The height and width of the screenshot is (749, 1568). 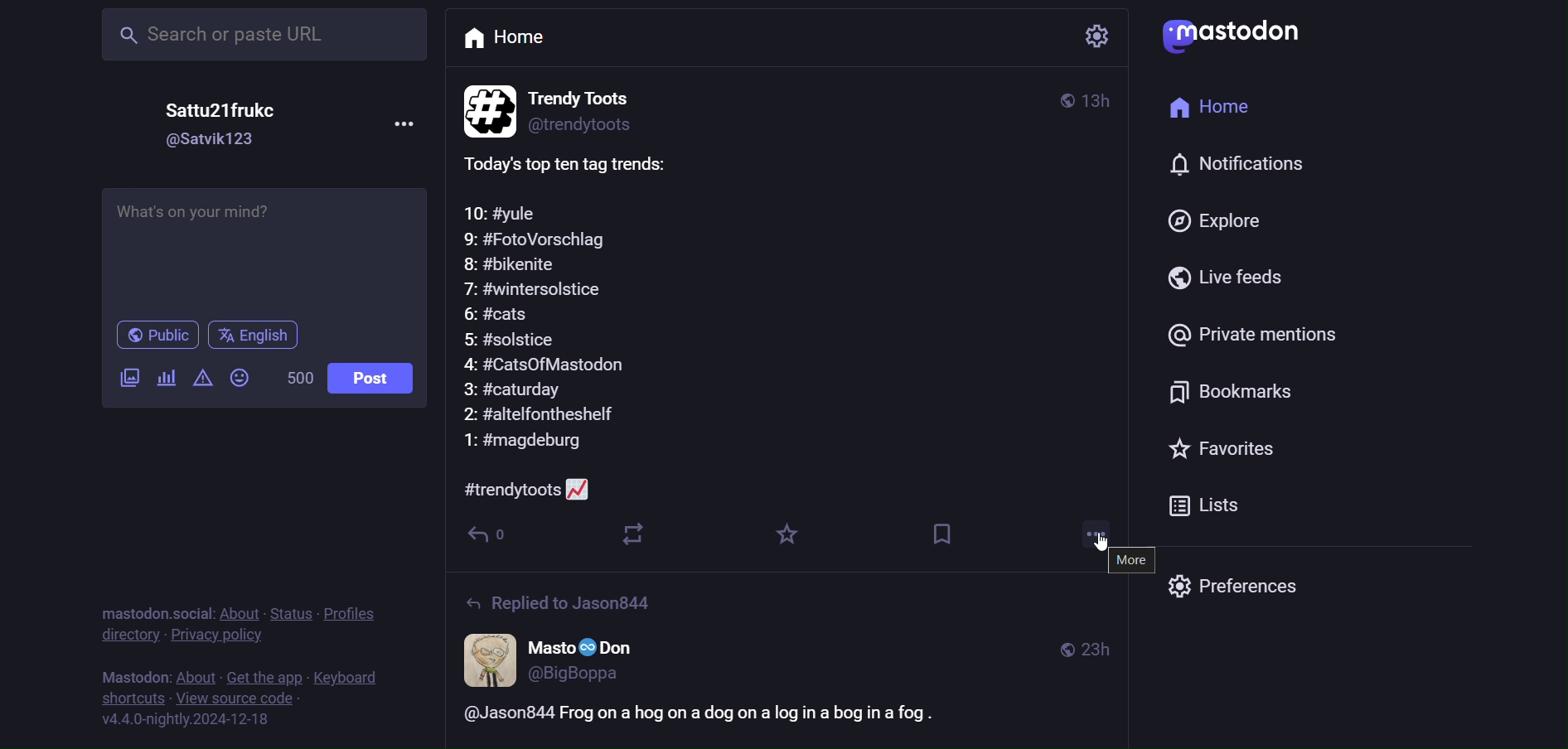 I want to click on bookmarks, so click(x=1222, y=392).